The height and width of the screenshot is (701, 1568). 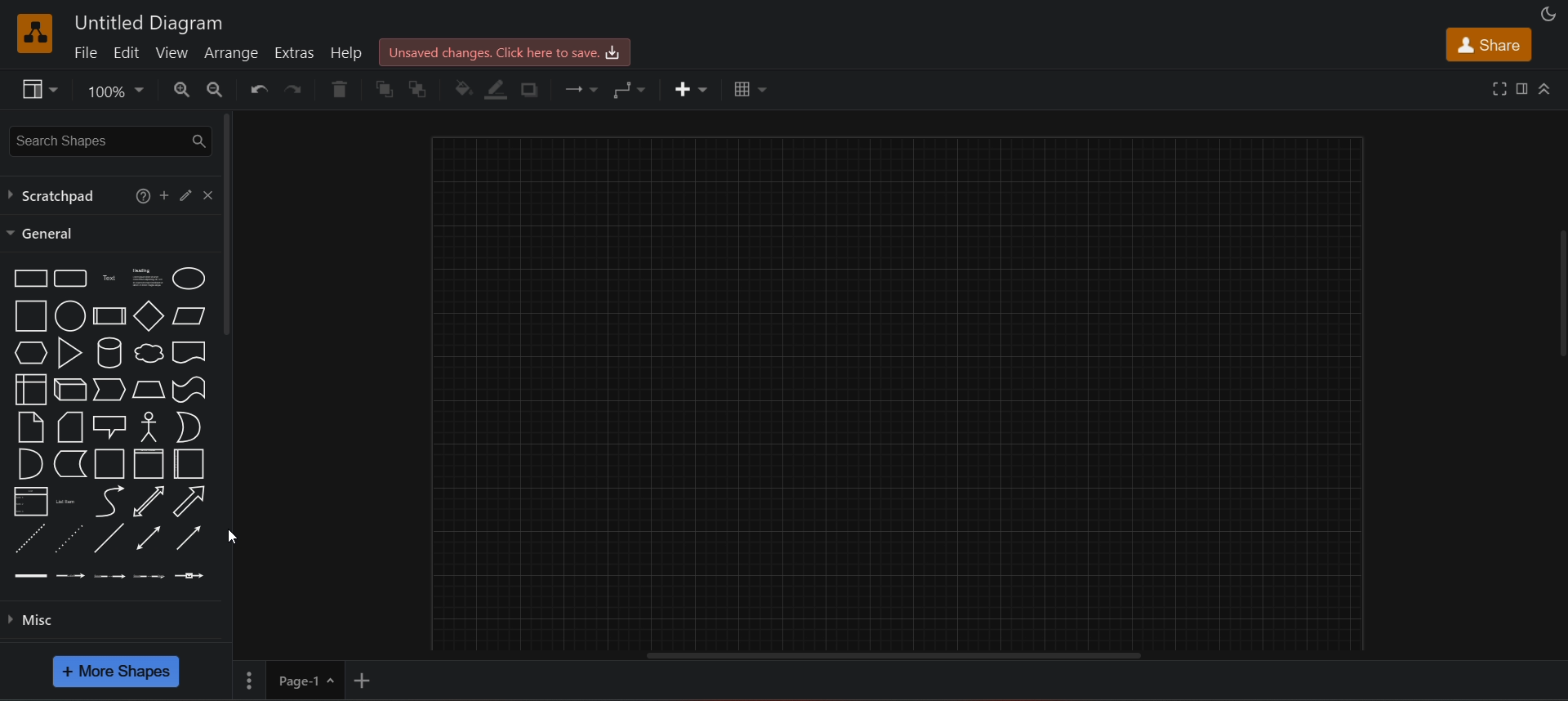 What do you see at coordinates (209, 195) in the screenshot?
I see `close` at bounding box center [209, 195].